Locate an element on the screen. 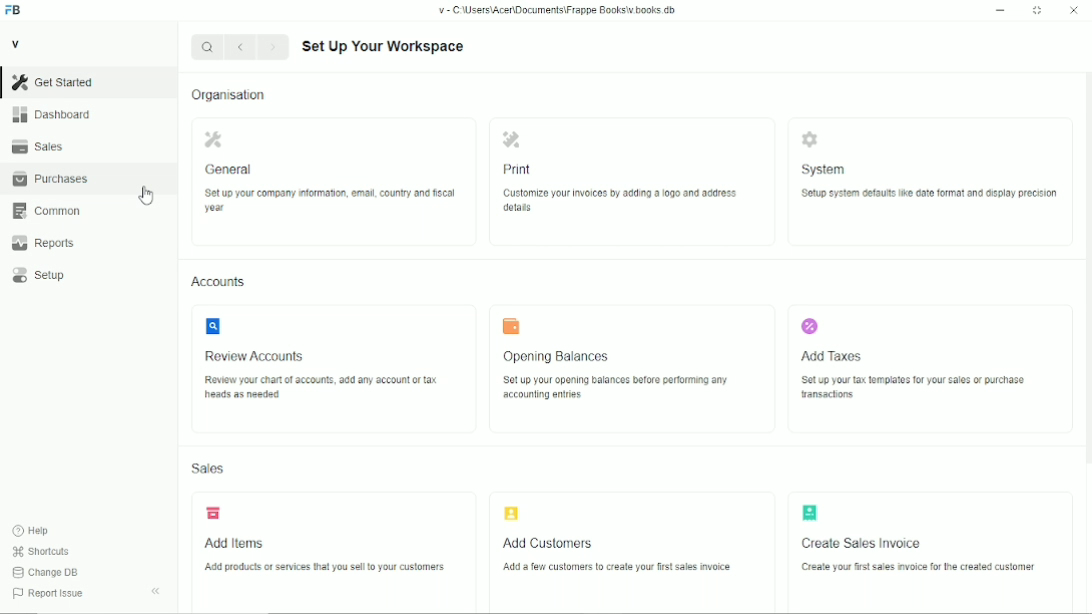 Image resolution: width=1092 pixels, height=614 pixels. Dashboard is located at coordinates (54, 115).